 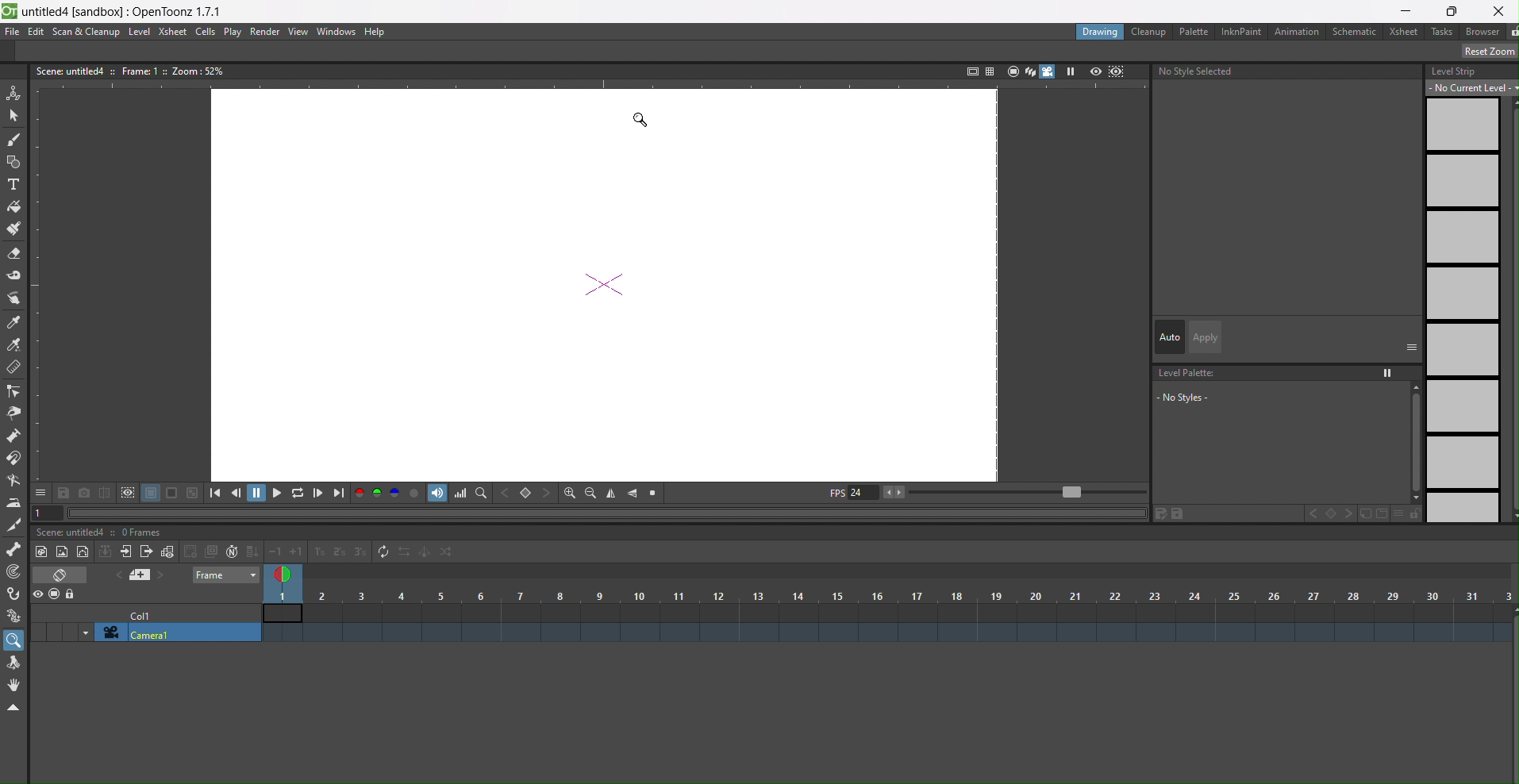 I want to click on green , so click(x=378, y=494).